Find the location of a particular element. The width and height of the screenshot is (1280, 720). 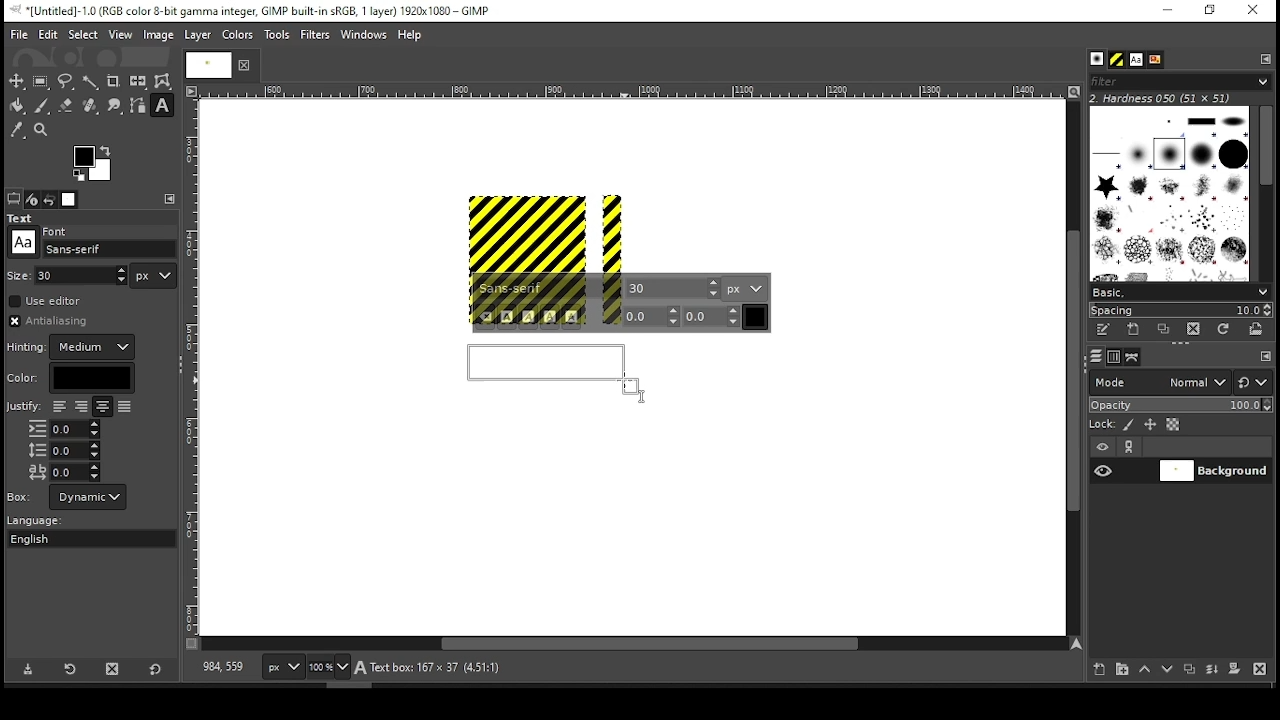

restore tool preset is located at coordinates (72, 667).